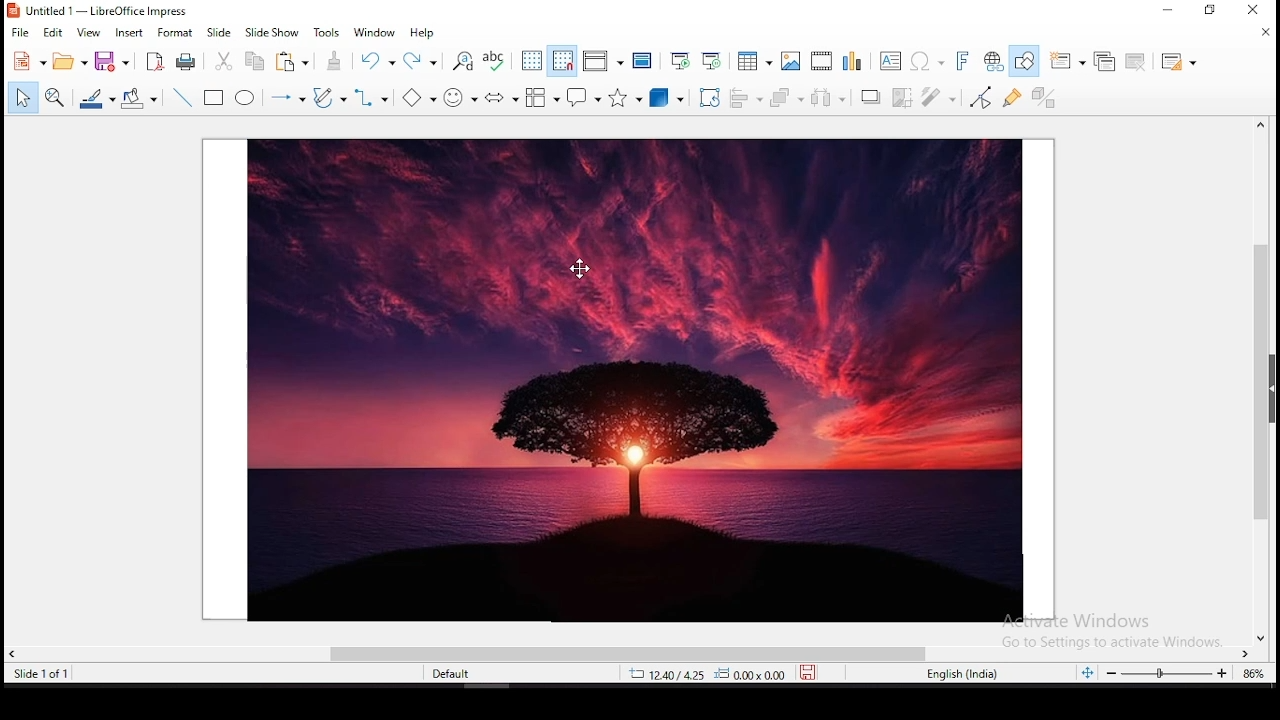 The image size is (1280, 720). What do you see at coordinates (669, 674) in the screenshot?
I see `12.40/4.25` at bounding box center [669, 674].